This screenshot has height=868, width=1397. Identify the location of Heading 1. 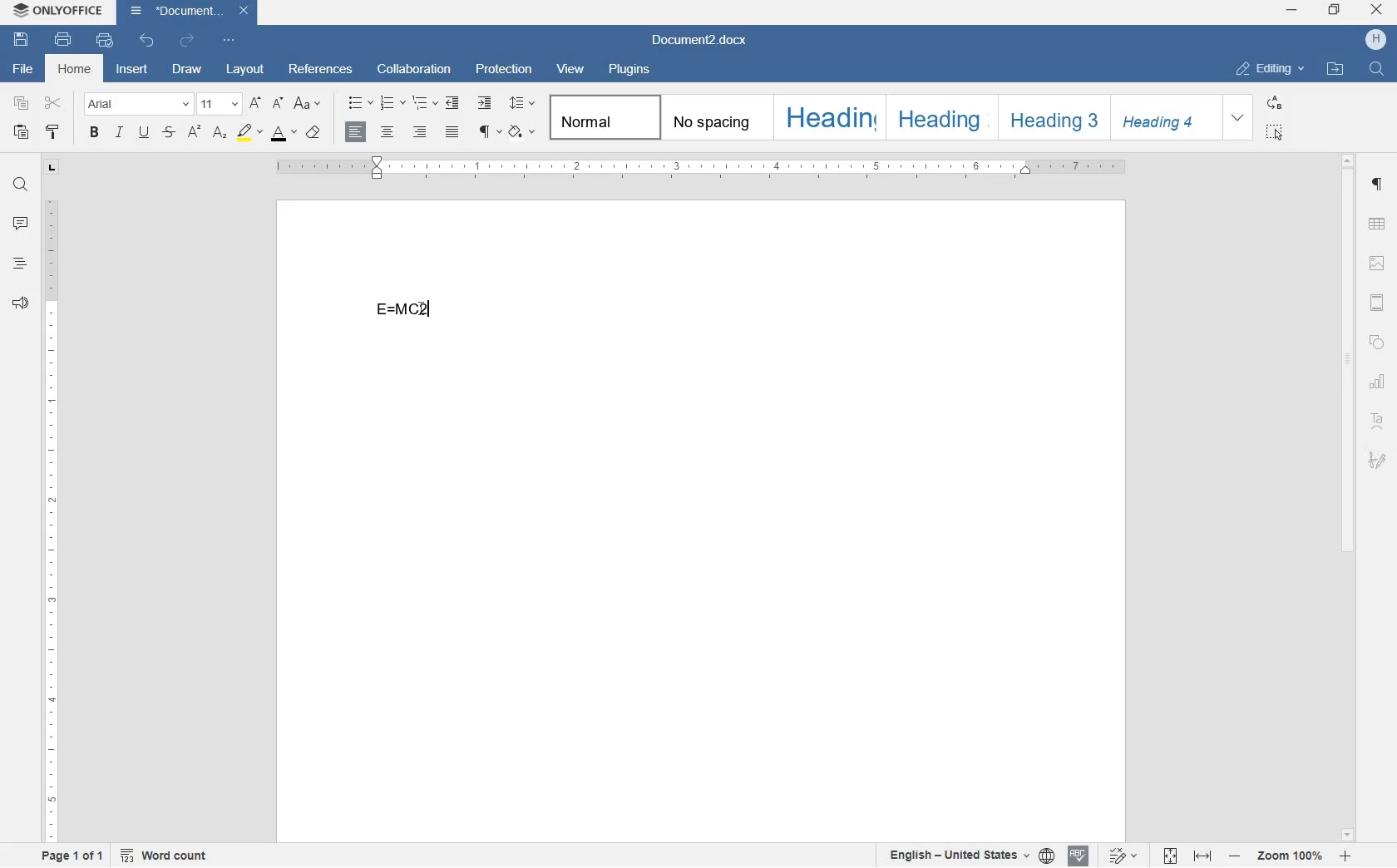
(827, 116).